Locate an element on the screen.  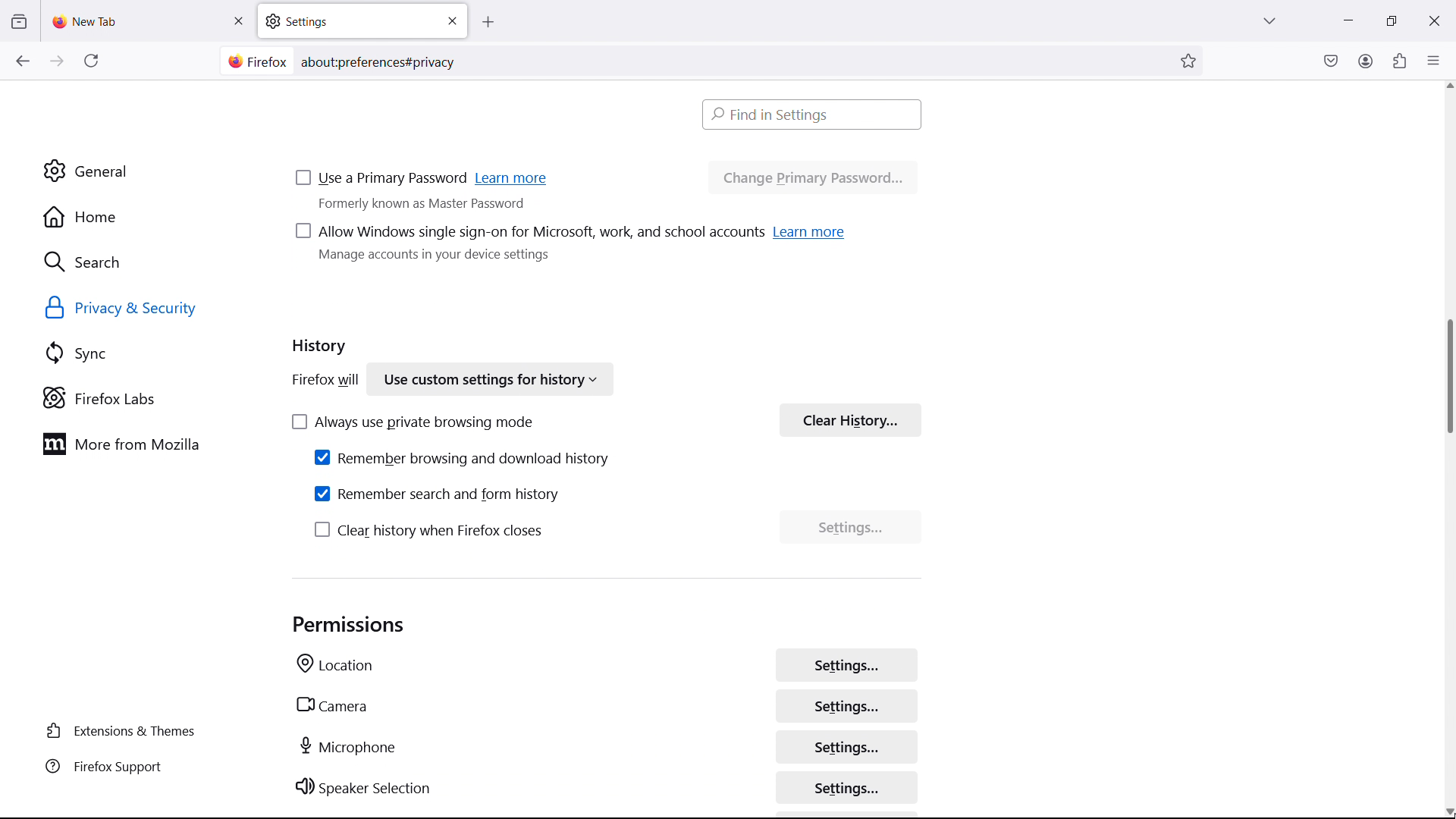
Firefox wil is located at coordinates (322, 379).